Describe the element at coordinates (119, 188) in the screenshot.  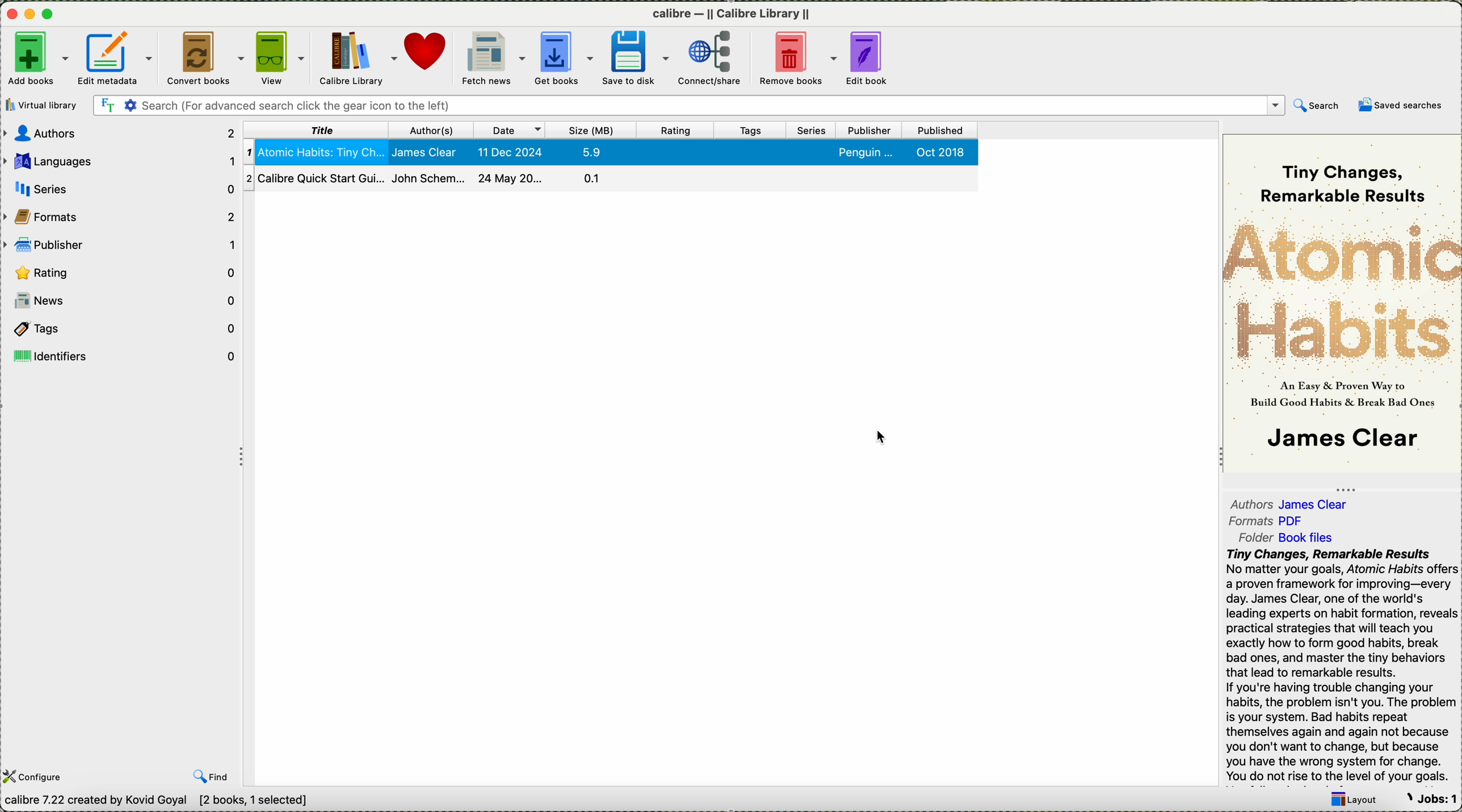
I see `series` at that location.